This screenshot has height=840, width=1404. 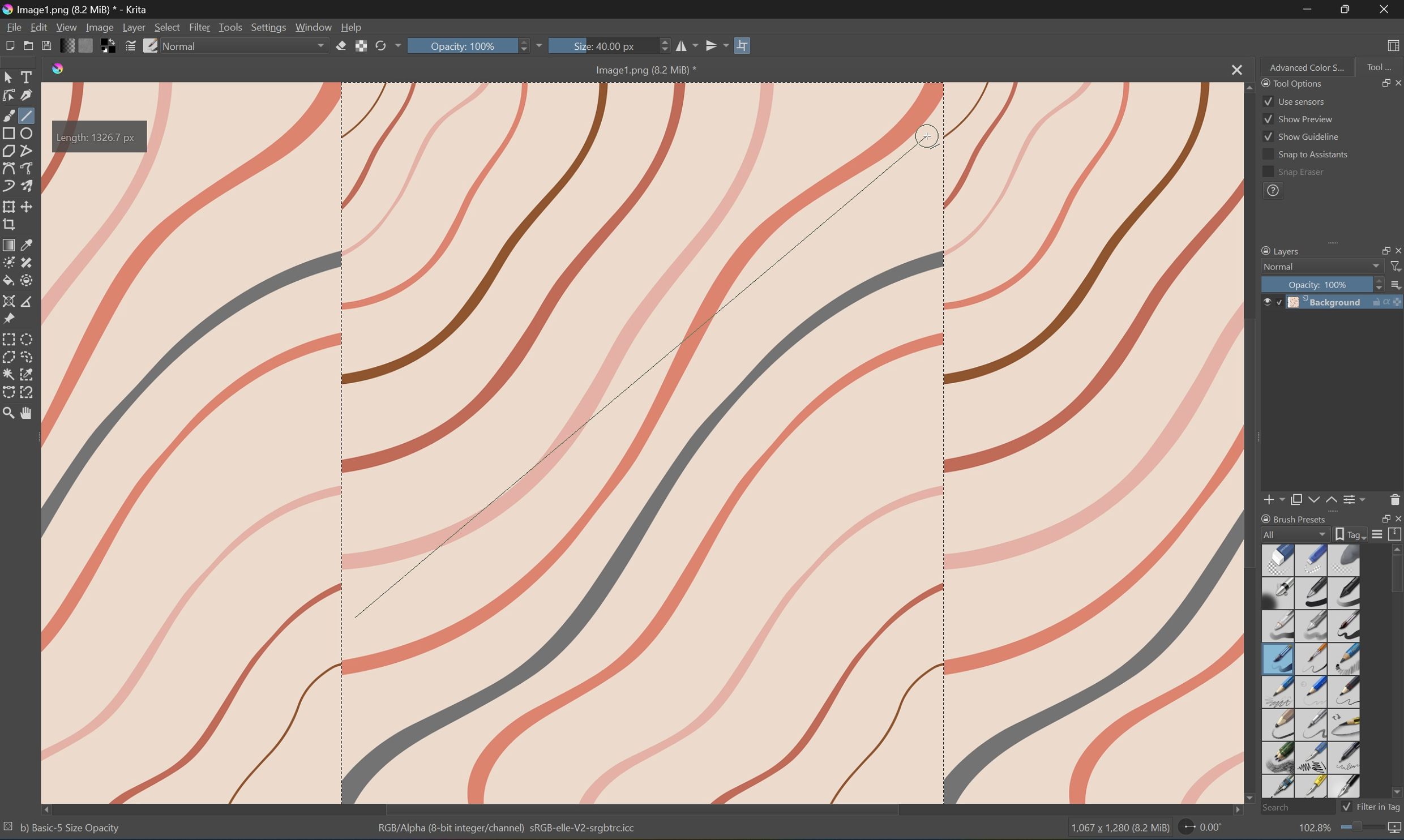 I want to click on Crop the image to an area, so click(x=9, y=225).